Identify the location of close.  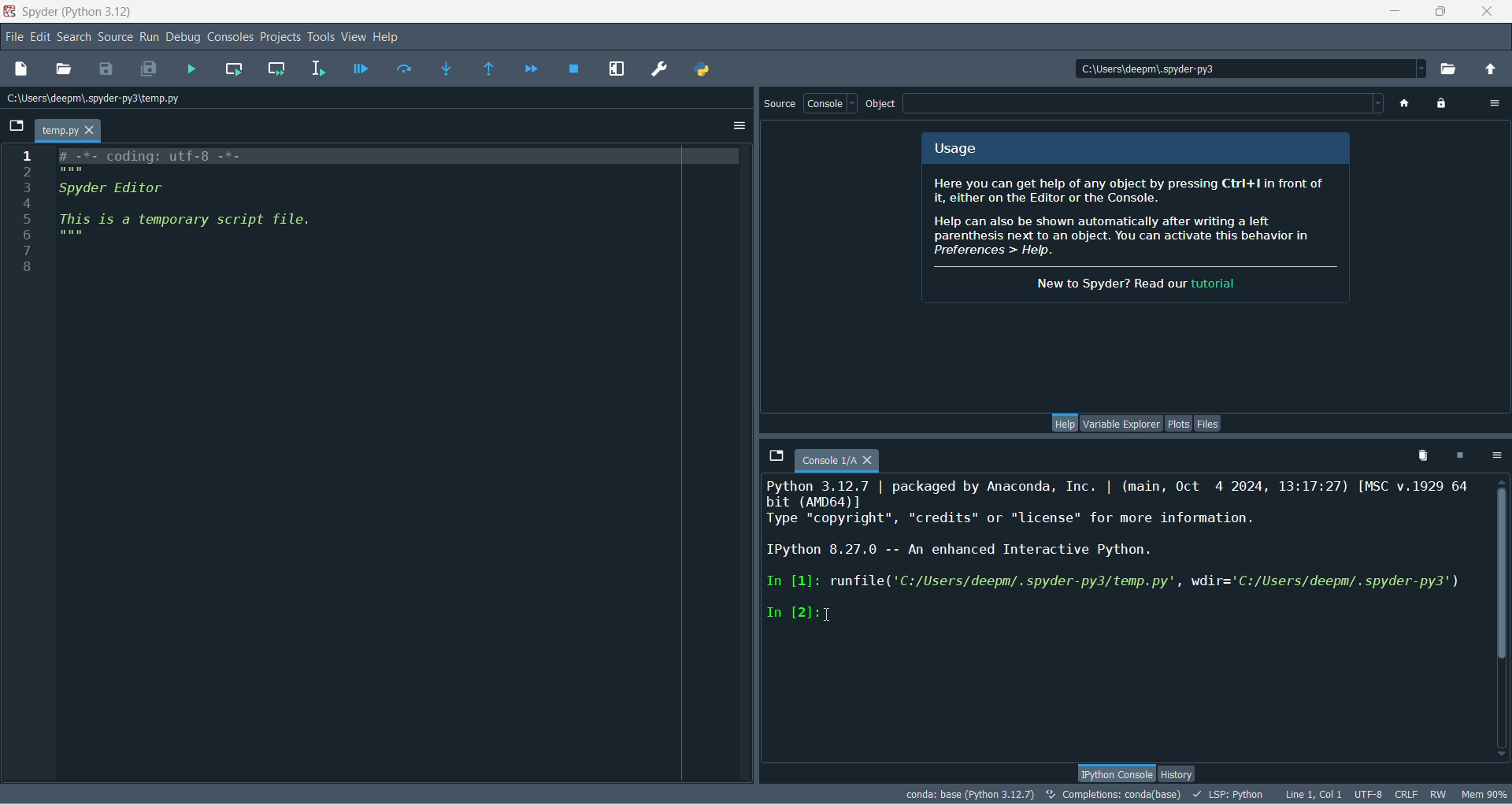
(1486, 11).